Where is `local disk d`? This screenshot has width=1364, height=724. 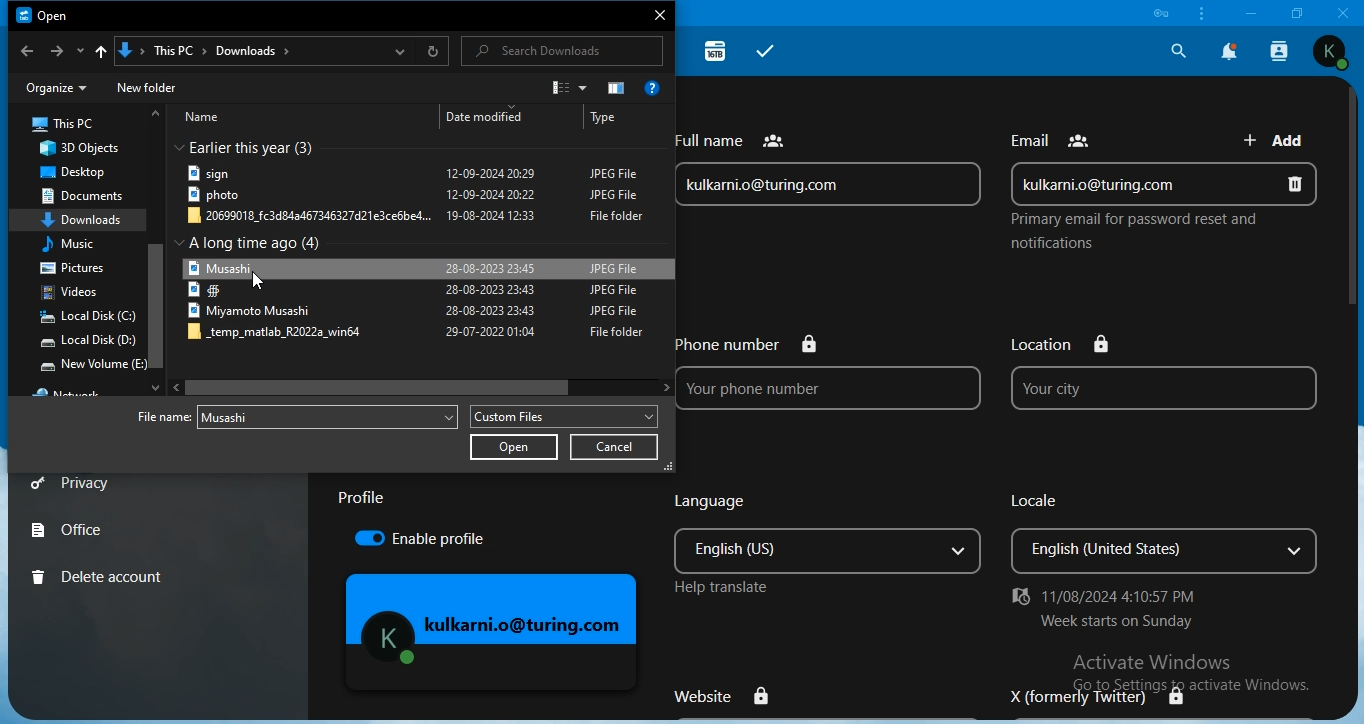 local disk d is located at coordinates (88, 341).